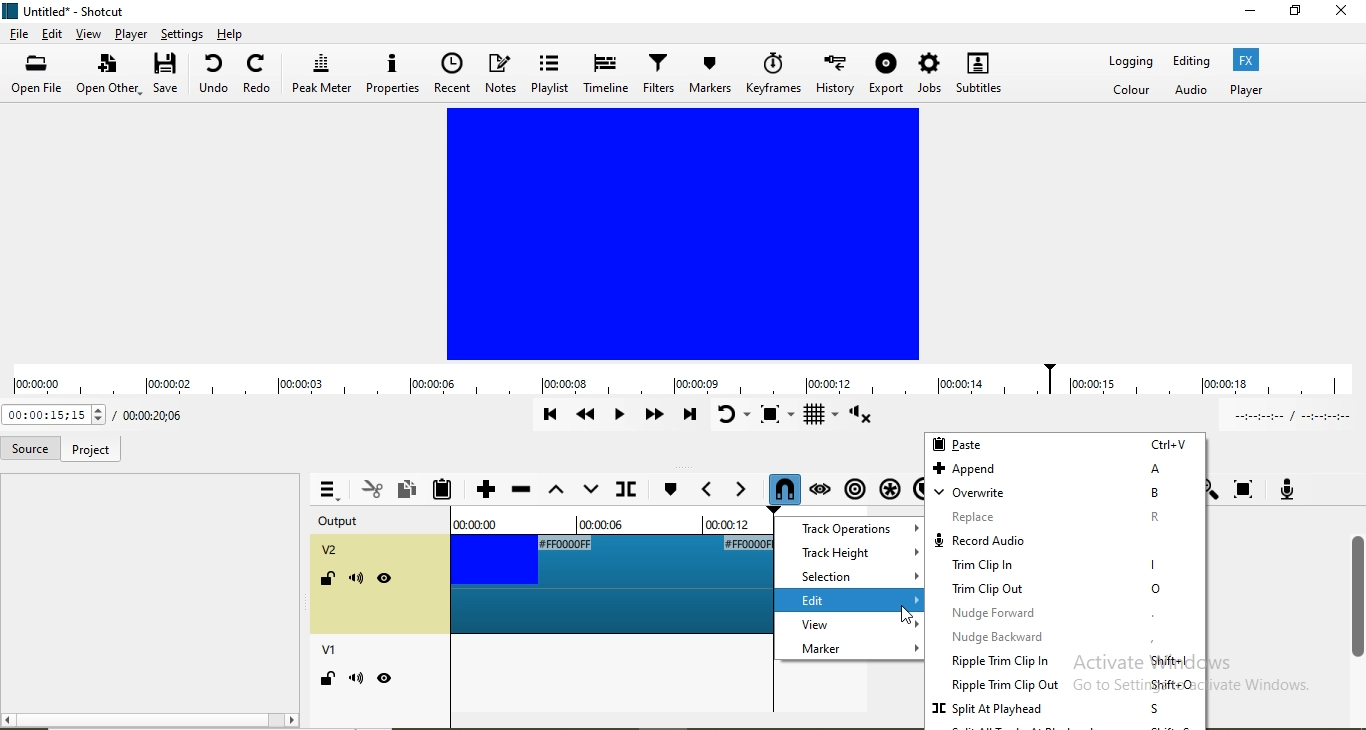 The width and height of the screenshot is (1366, 730). What do you see at coordinates (624, 492) in the screenshot?
I see `Split at playhead` at bounding box center [624, 492].